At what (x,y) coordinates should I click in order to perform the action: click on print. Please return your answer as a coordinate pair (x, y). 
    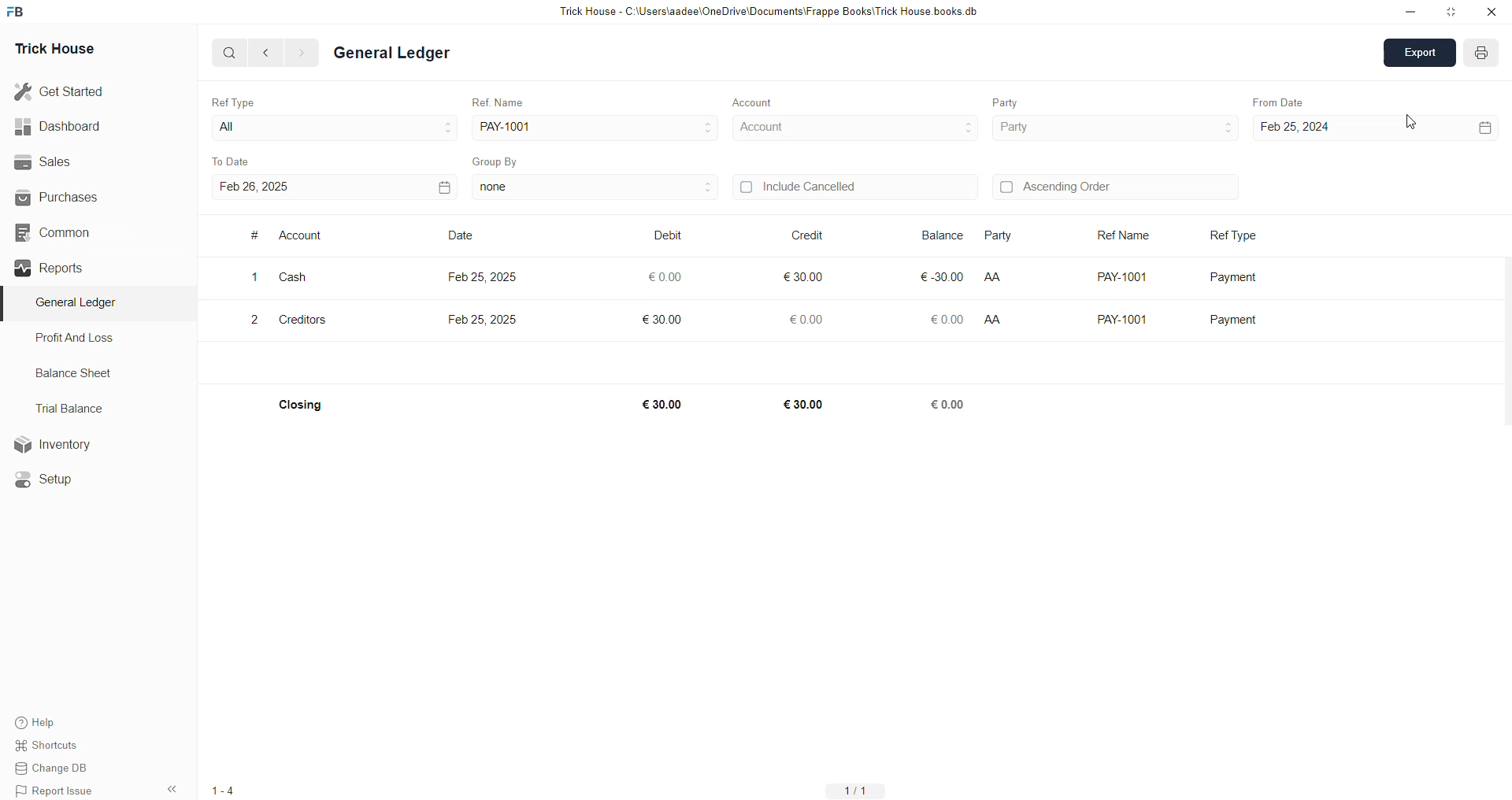
    Looking at the image, I should click on (1477, 54).